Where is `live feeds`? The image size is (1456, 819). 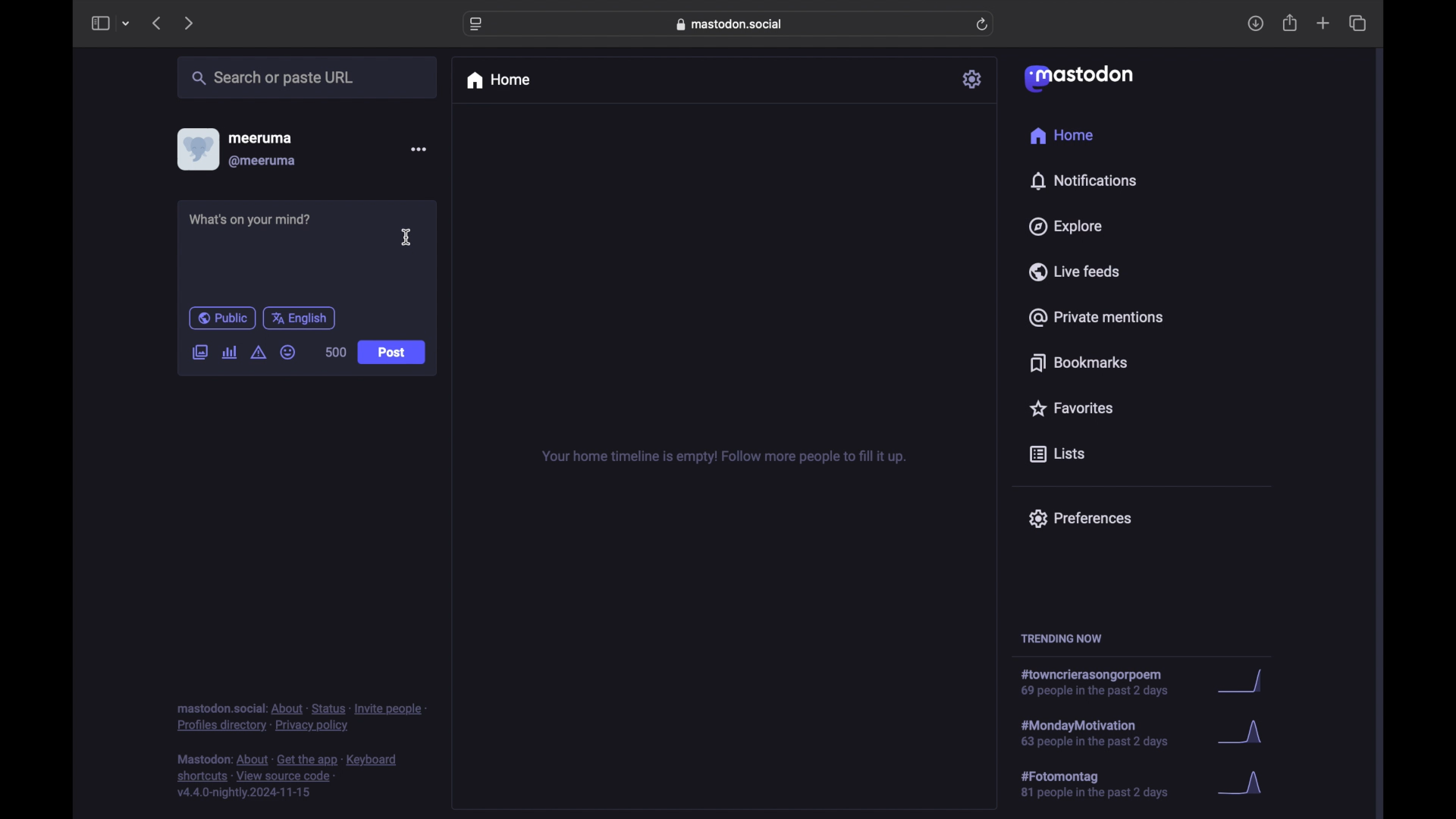
live feeds is located at coordinates (1075, 271).